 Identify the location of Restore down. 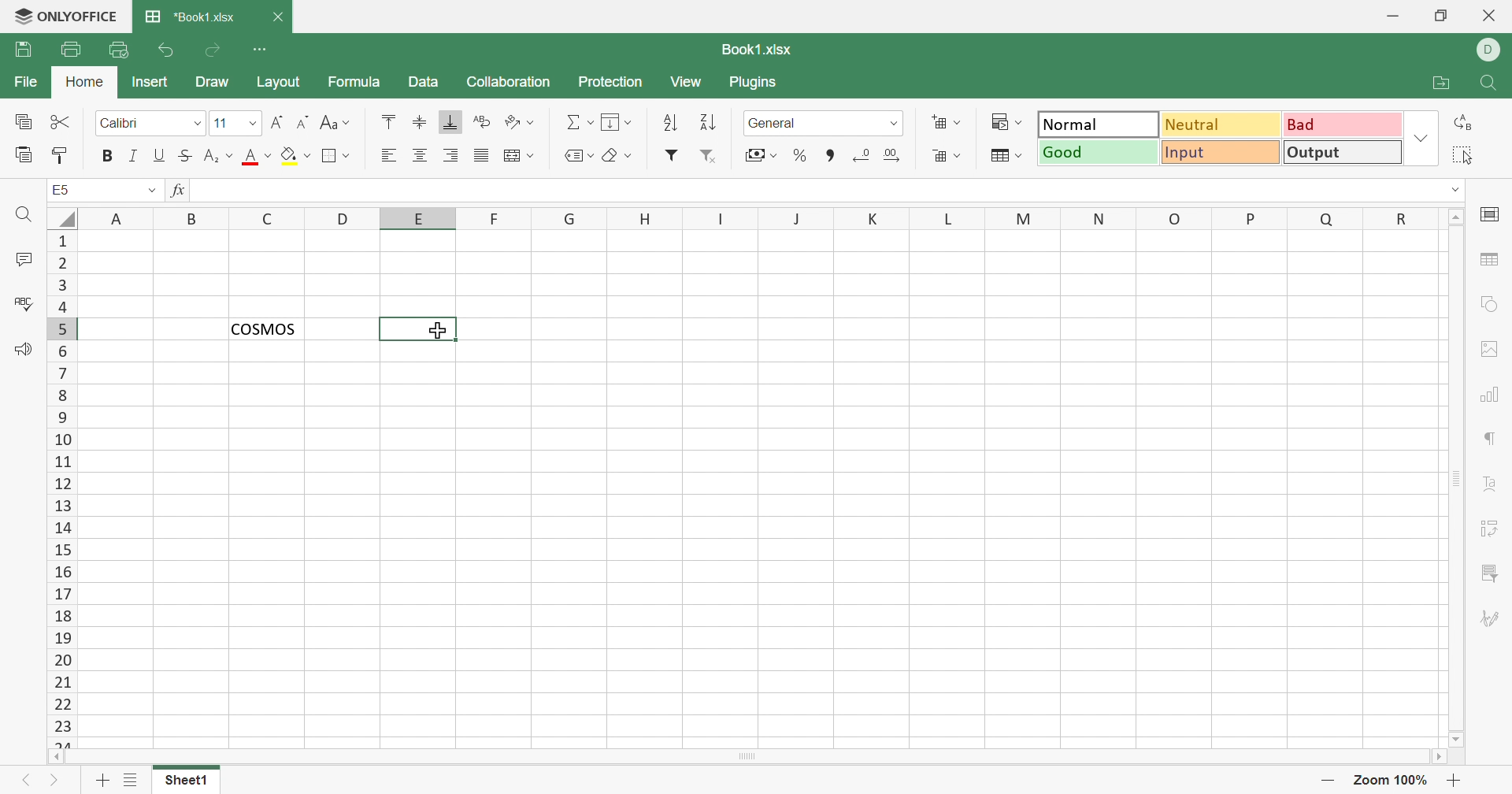
(1445, 17).